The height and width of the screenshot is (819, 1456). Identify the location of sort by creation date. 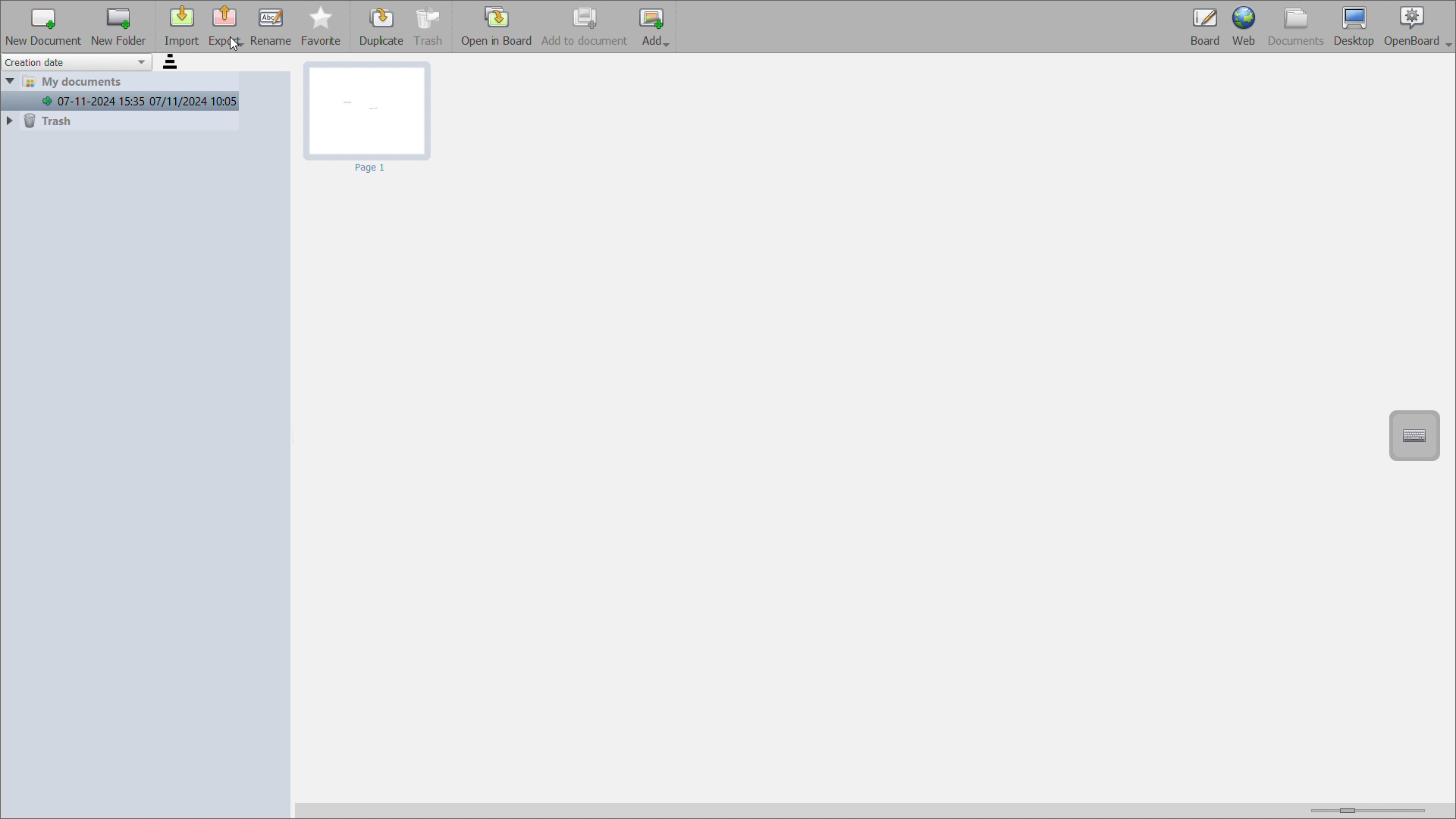
(77, 62).